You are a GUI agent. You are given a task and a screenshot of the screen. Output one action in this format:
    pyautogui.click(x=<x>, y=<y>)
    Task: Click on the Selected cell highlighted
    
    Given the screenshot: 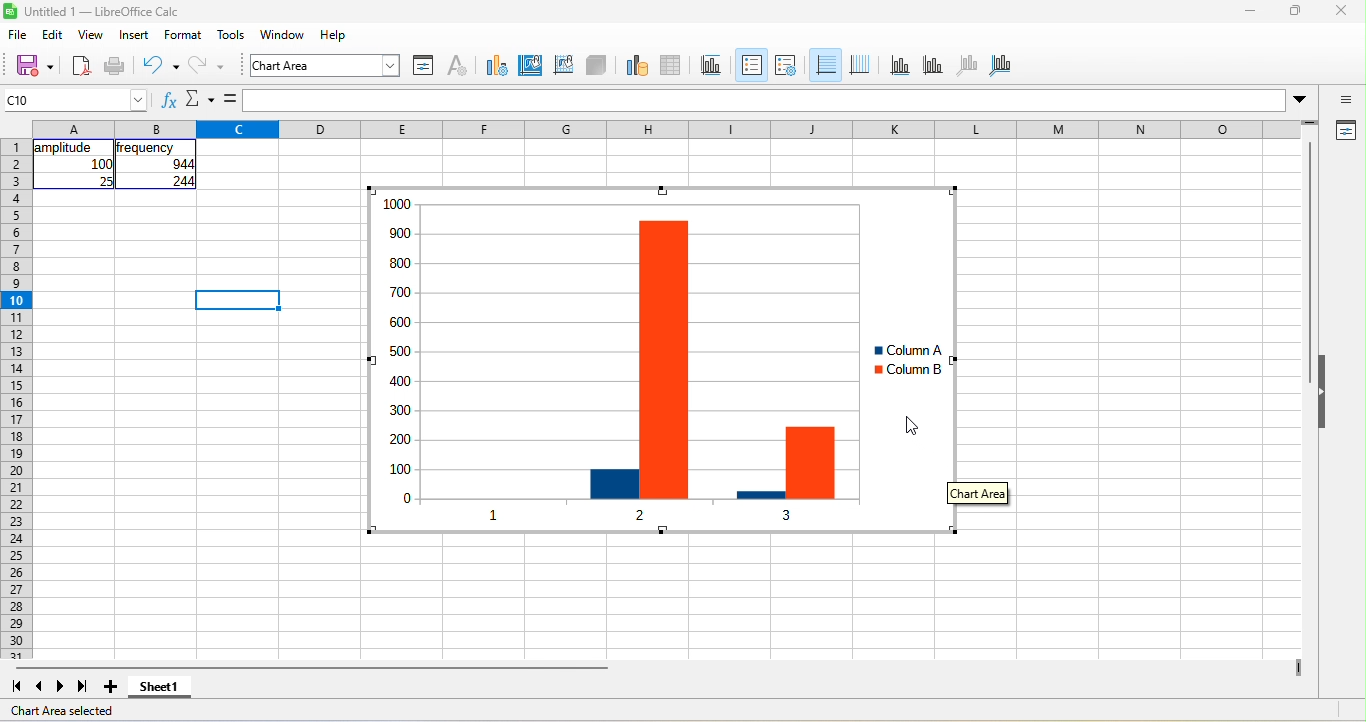 What is the action you would take?
    pyautogui.click(x=237, y=300)
    